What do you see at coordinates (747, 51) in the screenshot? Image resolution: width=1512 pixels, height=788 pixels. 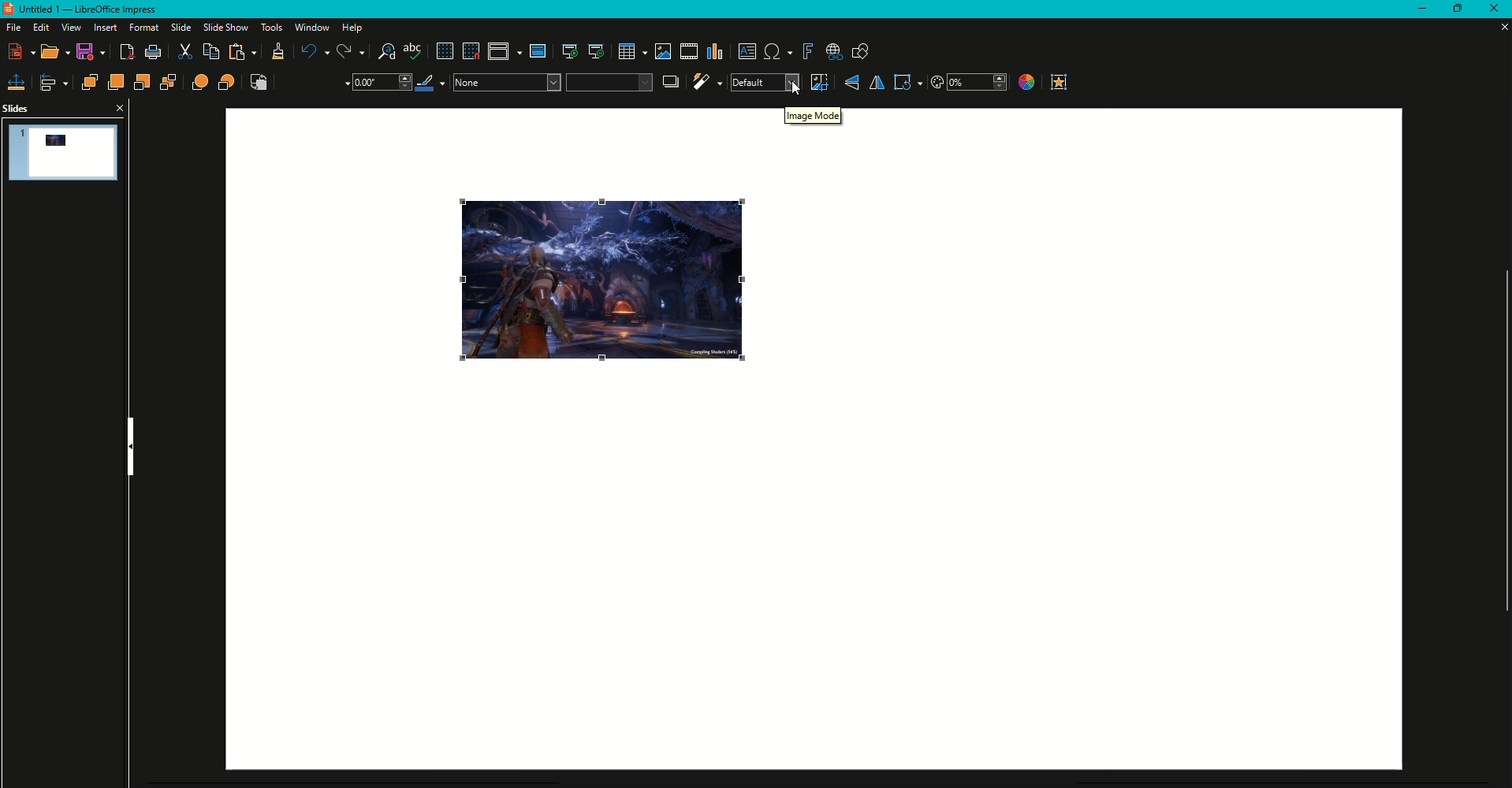 I see `Text Box` at bounding box center [747, 51].